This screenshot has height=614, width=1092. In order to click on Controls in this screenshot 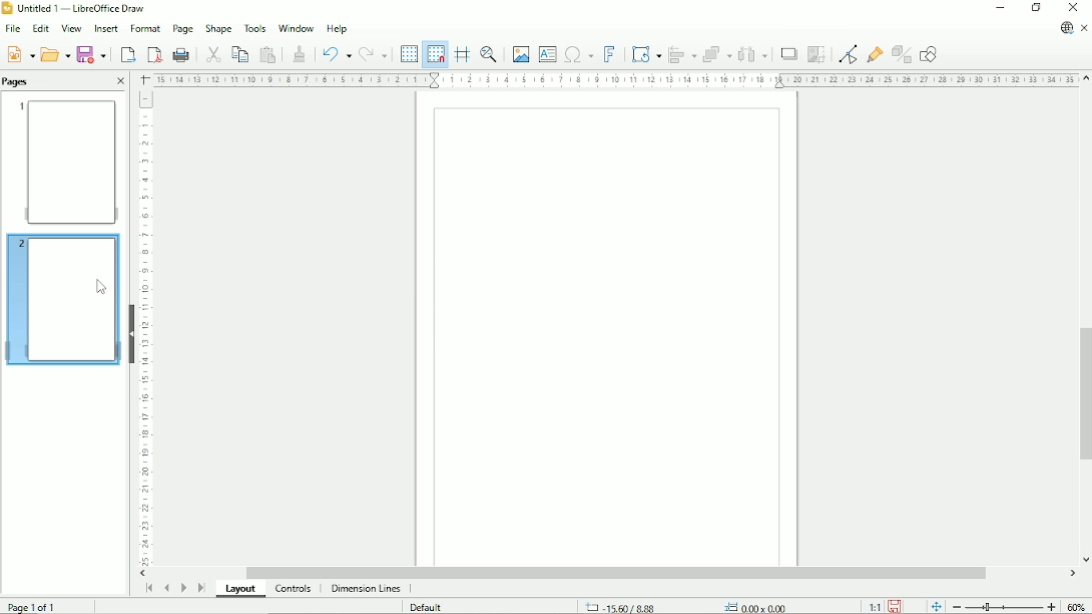, I will do `click(295, 589)`.